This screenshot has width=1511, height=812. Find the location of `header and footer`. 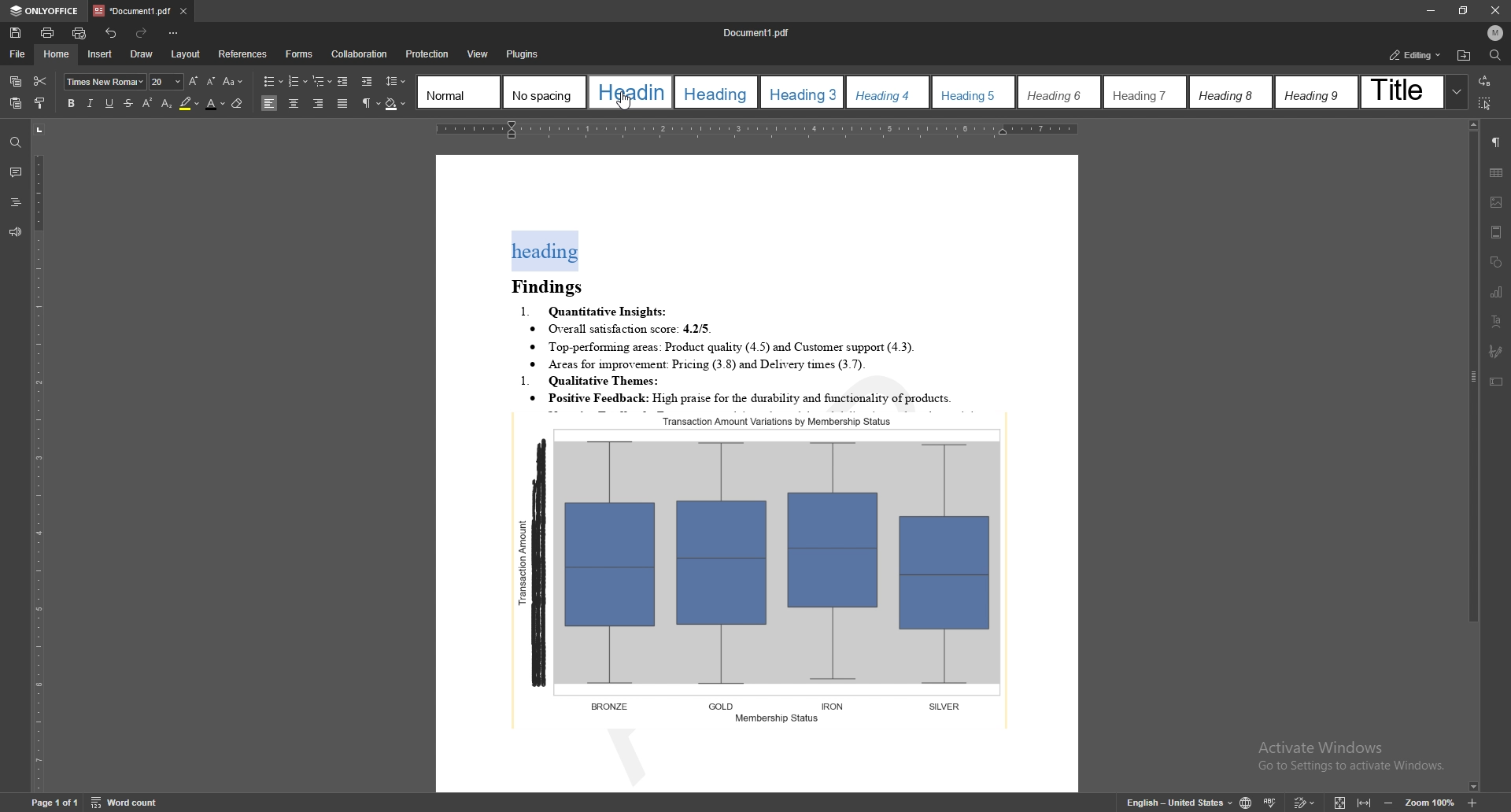

header and footer is located at coordinates (1496, 232).